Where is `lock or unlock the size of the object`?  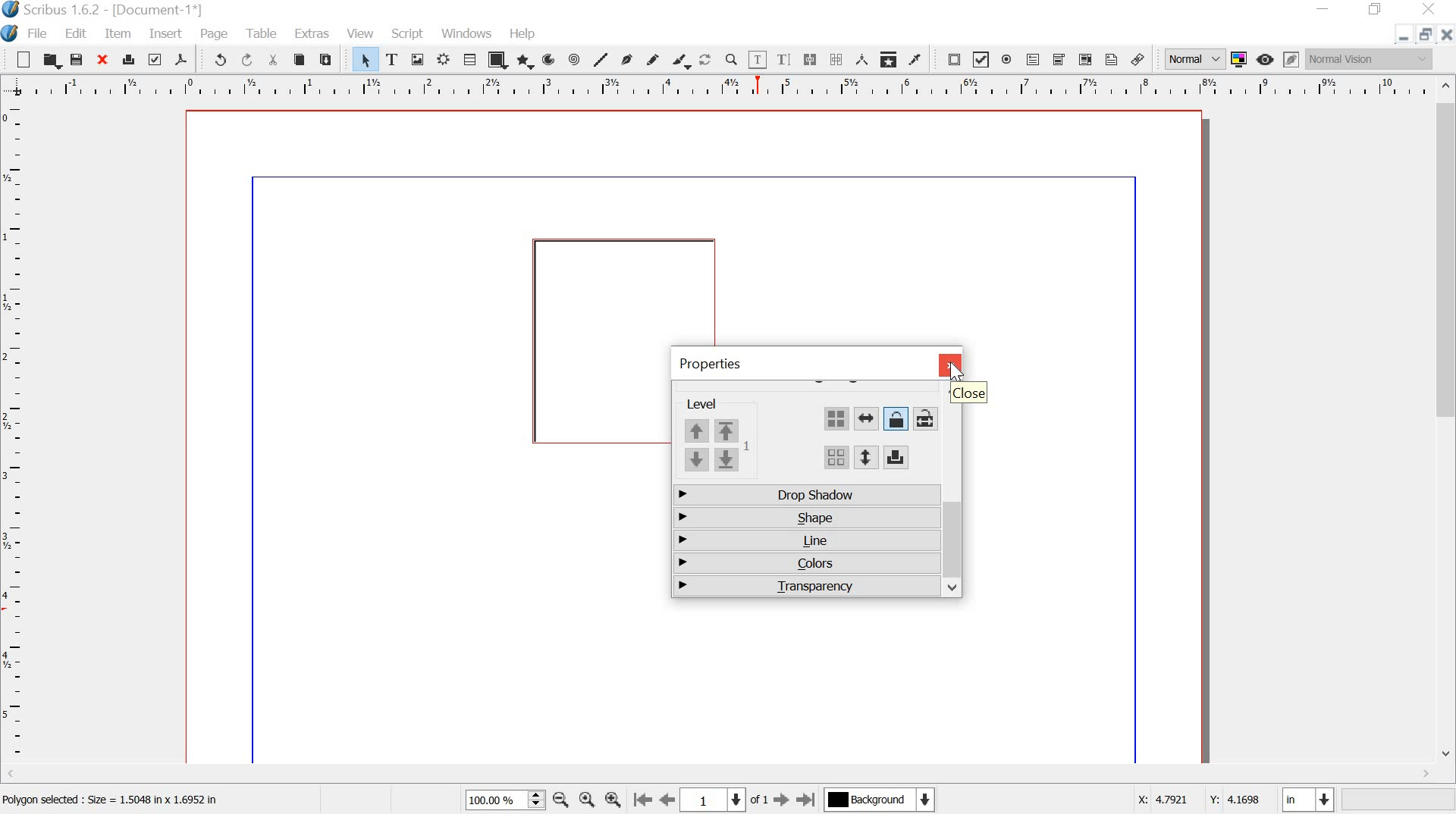
lock or unlock the size of the object is located at coordinates (924, 418).